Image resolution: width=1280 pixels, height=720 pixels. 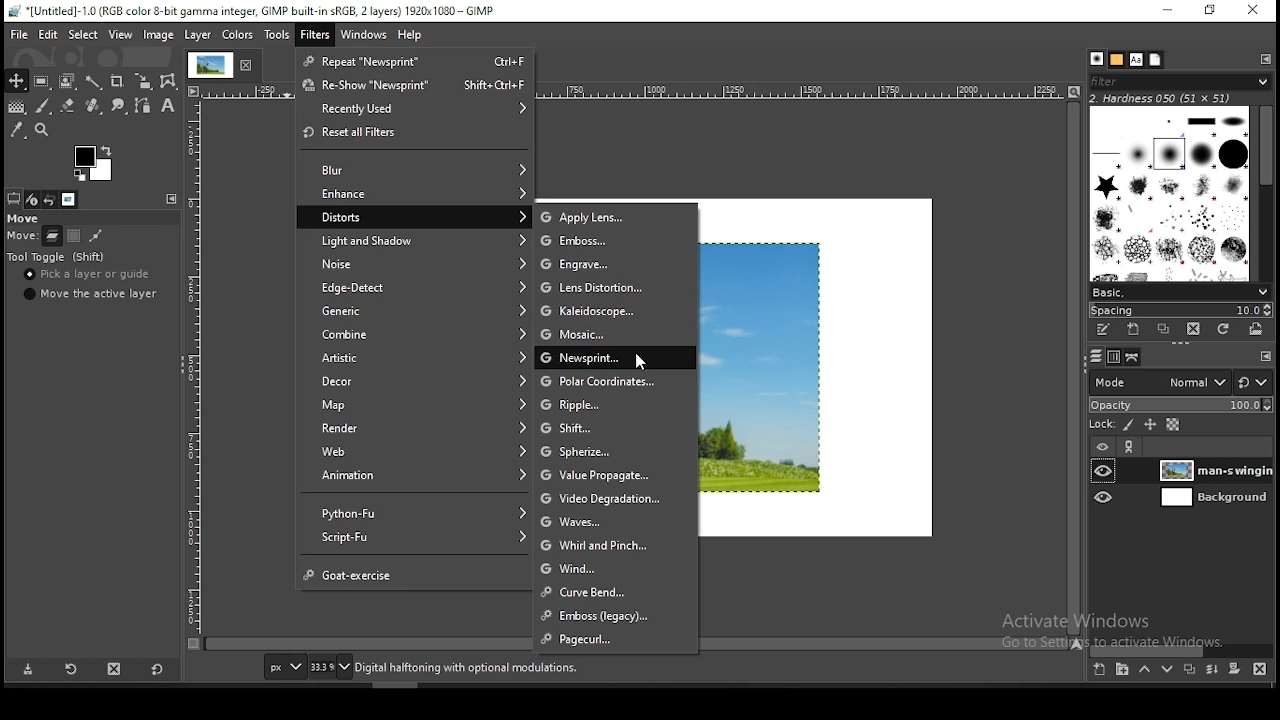 I want to click on colors, so click(x=237, y=35).